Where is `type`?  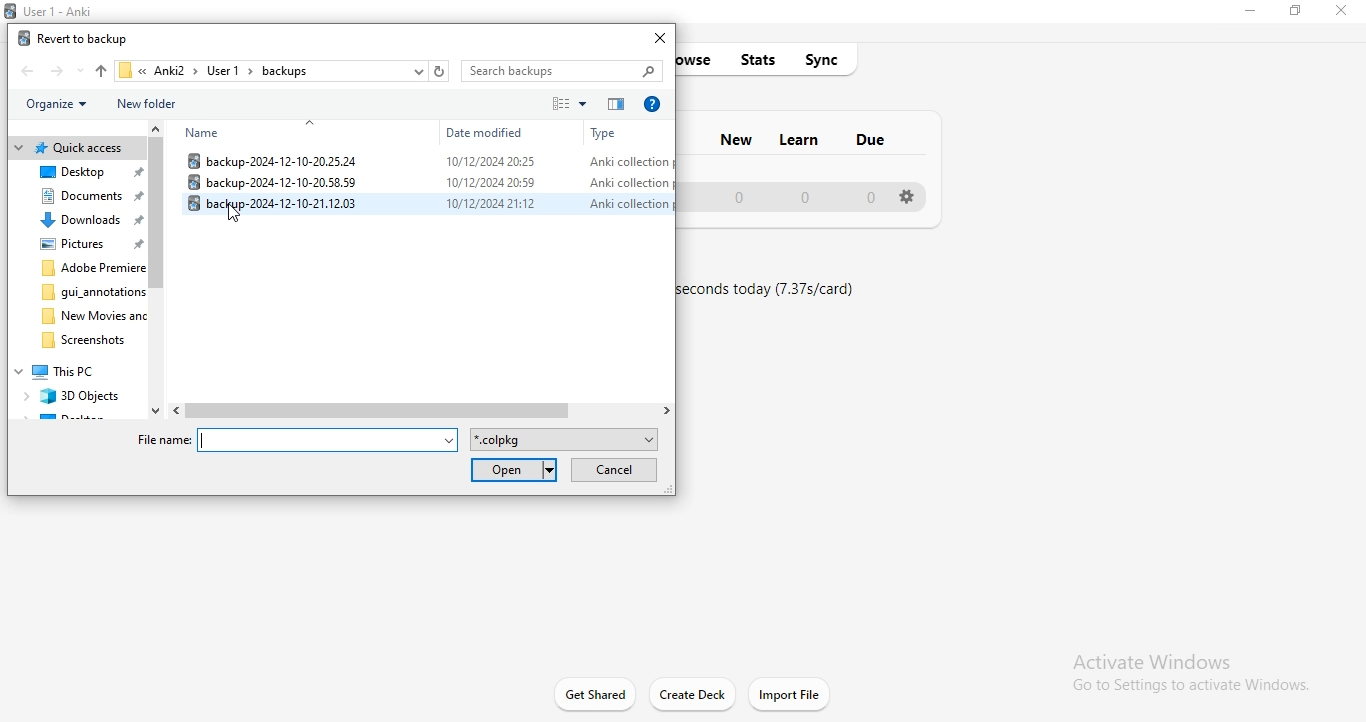 type is located at coordinates (611, 132).